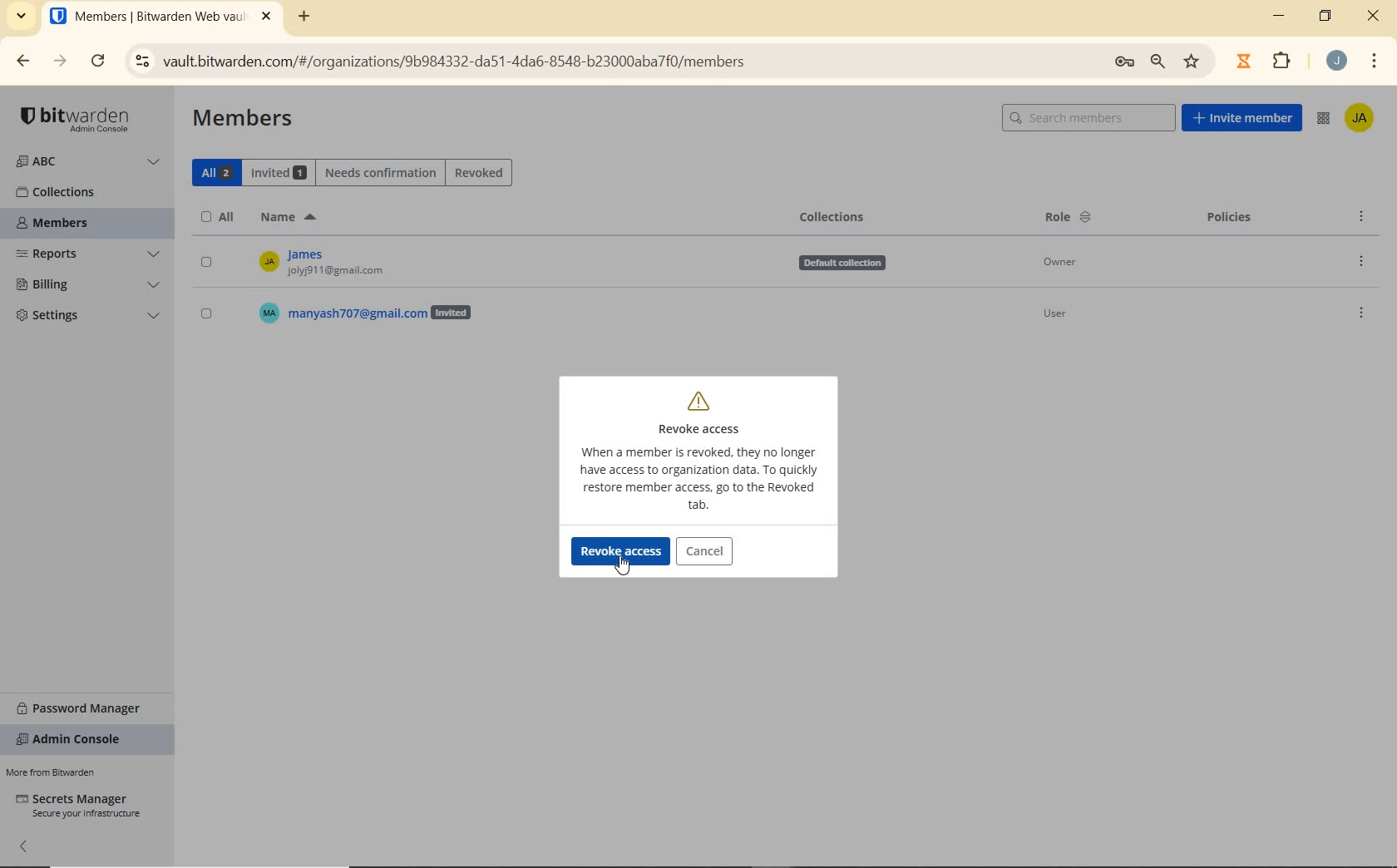  I want to click on ALL, so click(214, 171).